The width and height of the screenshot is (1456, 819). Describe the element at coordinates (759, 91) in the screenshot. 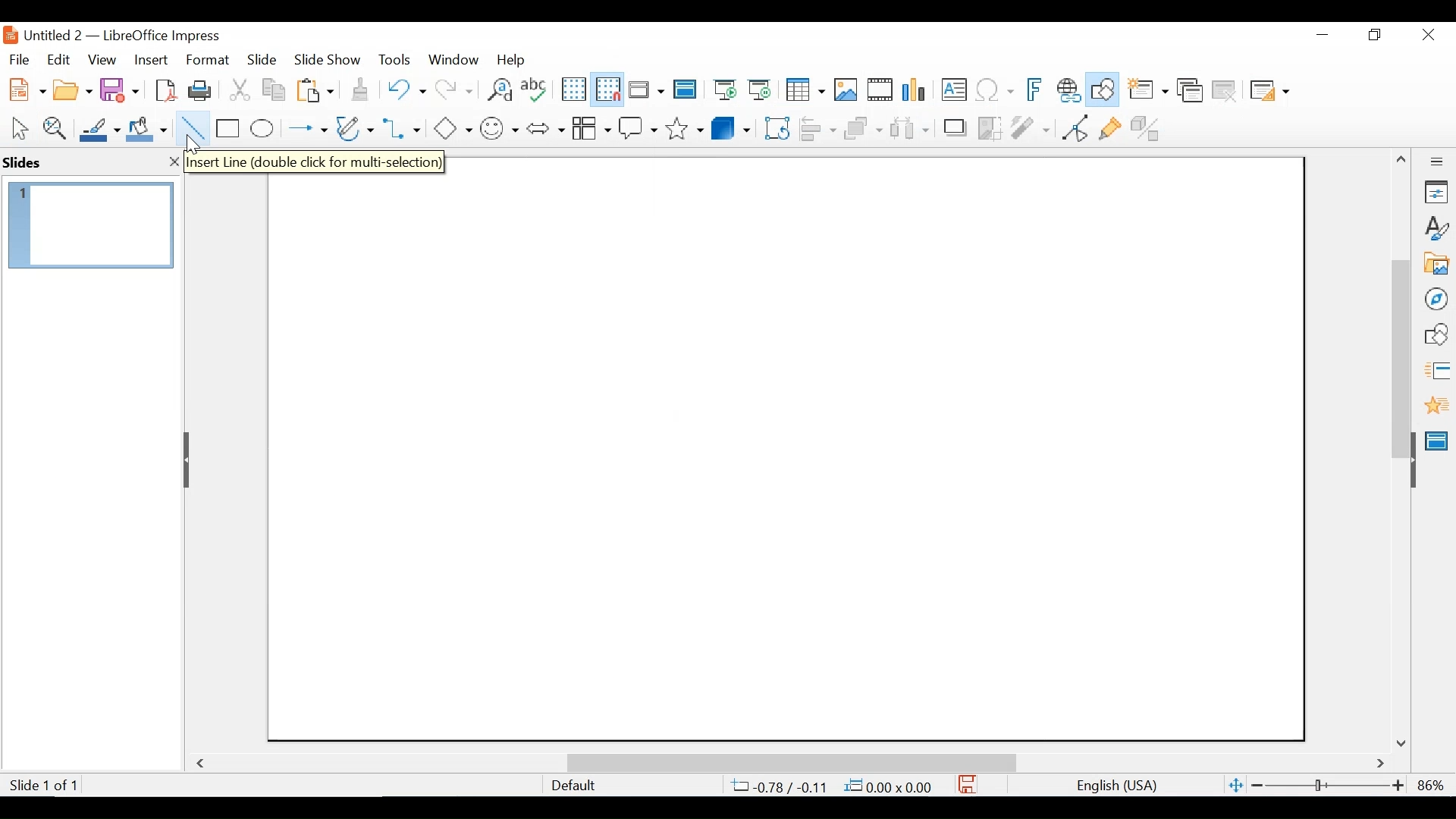

I see `Start from Current Slide` at that location.